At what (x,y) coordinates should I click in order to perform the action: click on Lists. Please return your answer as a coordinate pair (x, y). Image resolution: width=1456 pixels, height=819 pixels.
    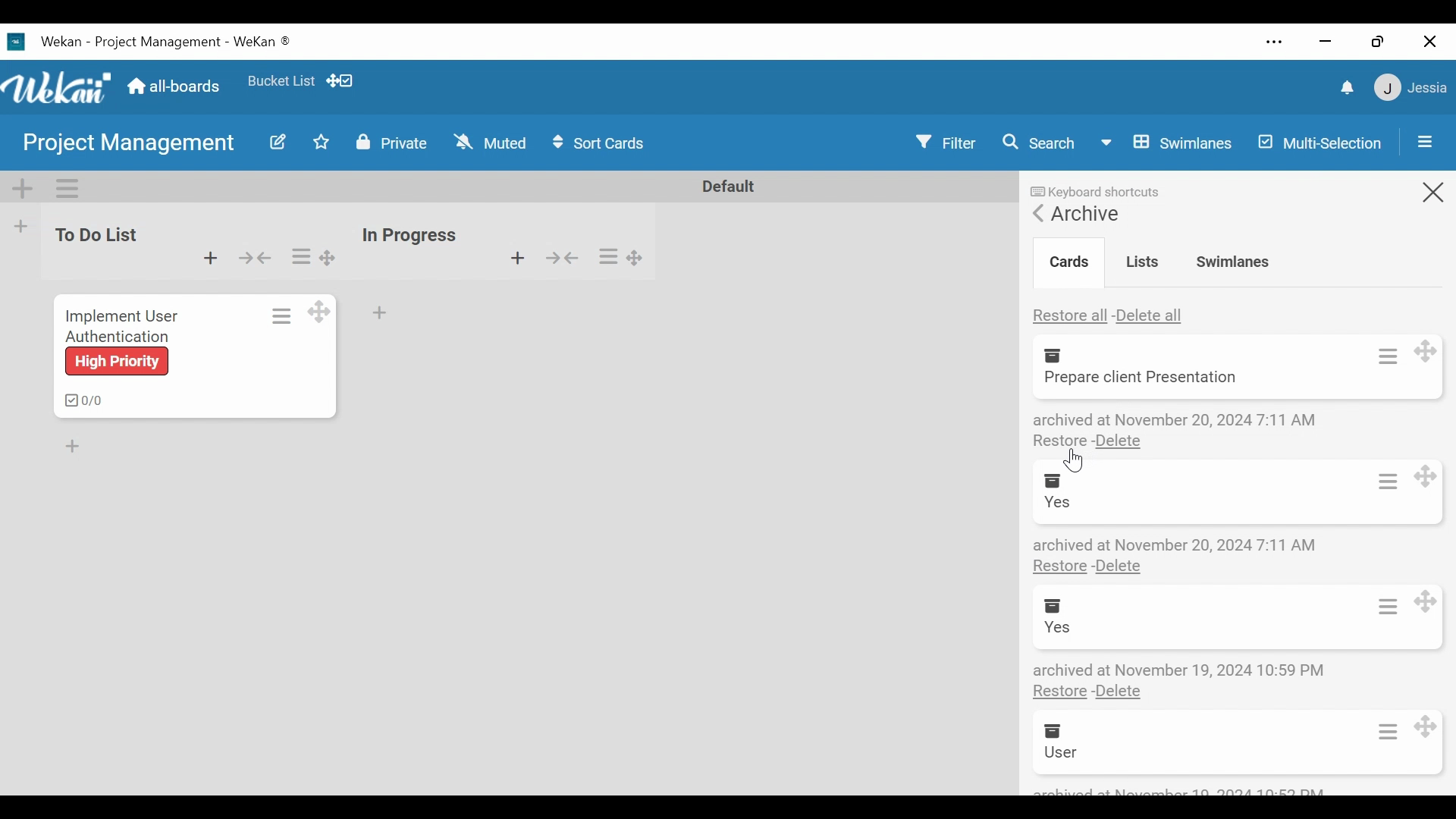
    Looking at the image, I should click on (1144, 260).